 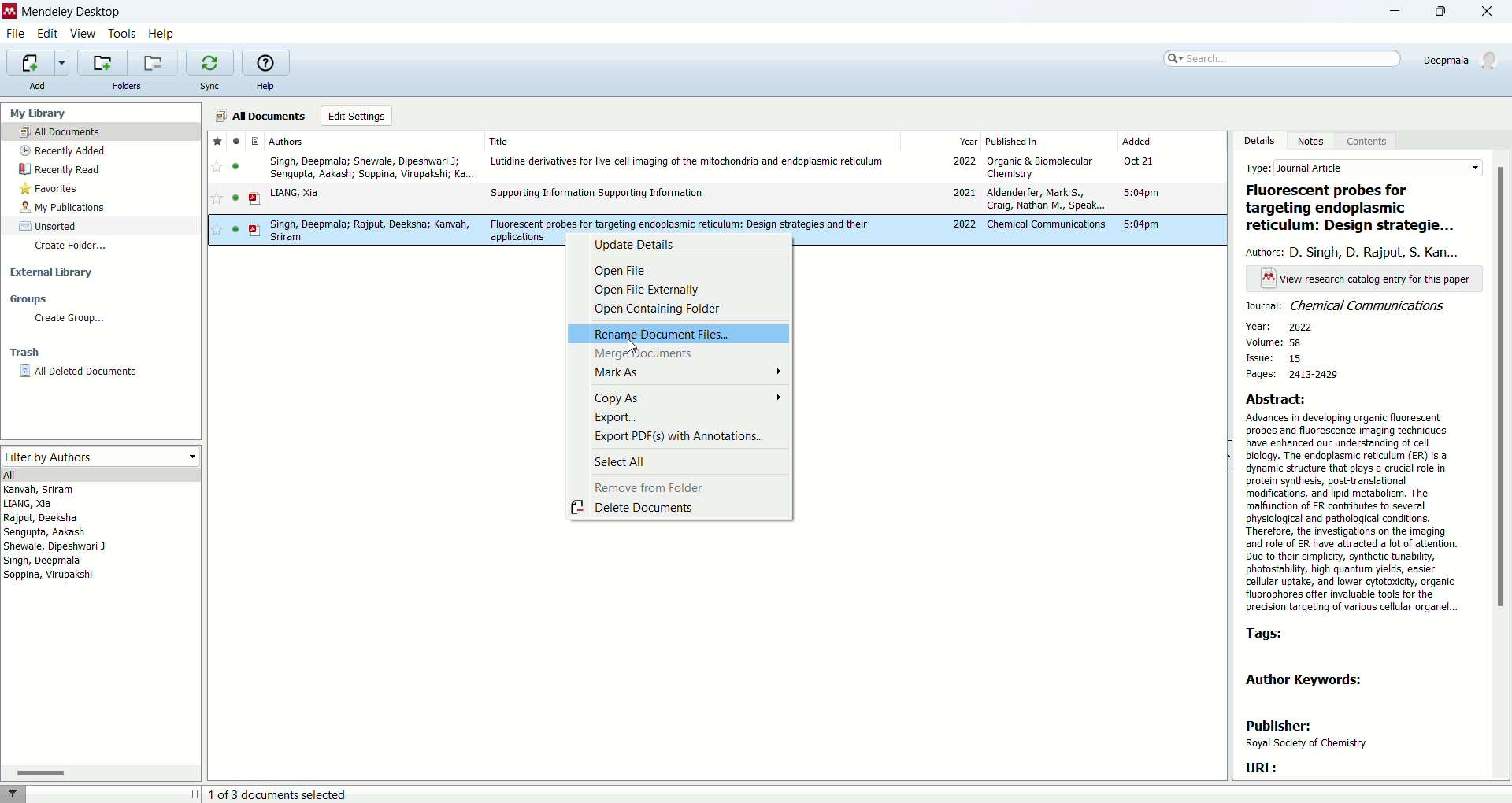 What do you see at coordinates (1358, 253) in the screenshot?
I see `authors` at bounding box center [1358, 253].